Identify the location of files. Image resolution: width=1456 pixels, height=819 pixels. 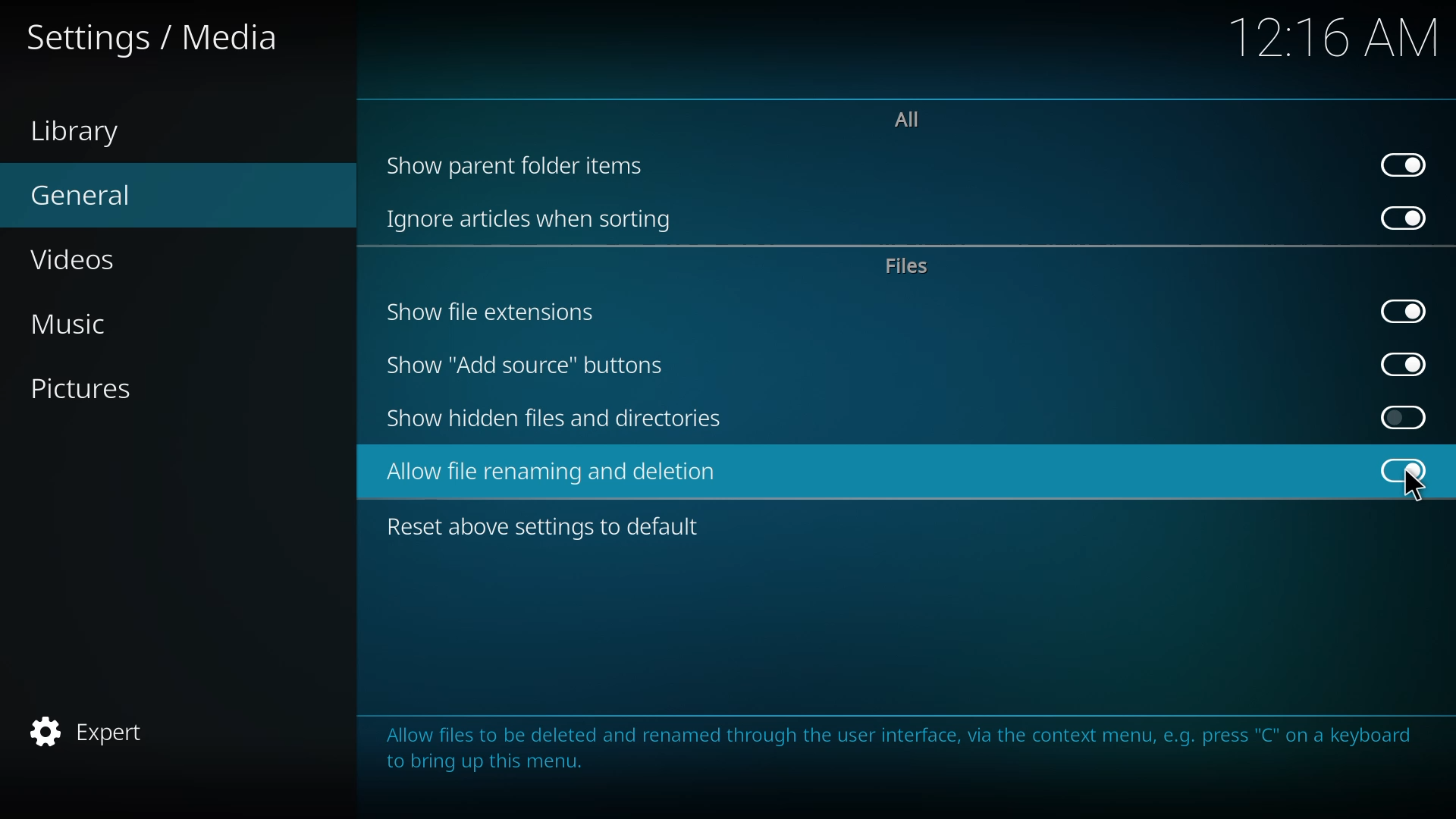
(911, 265).